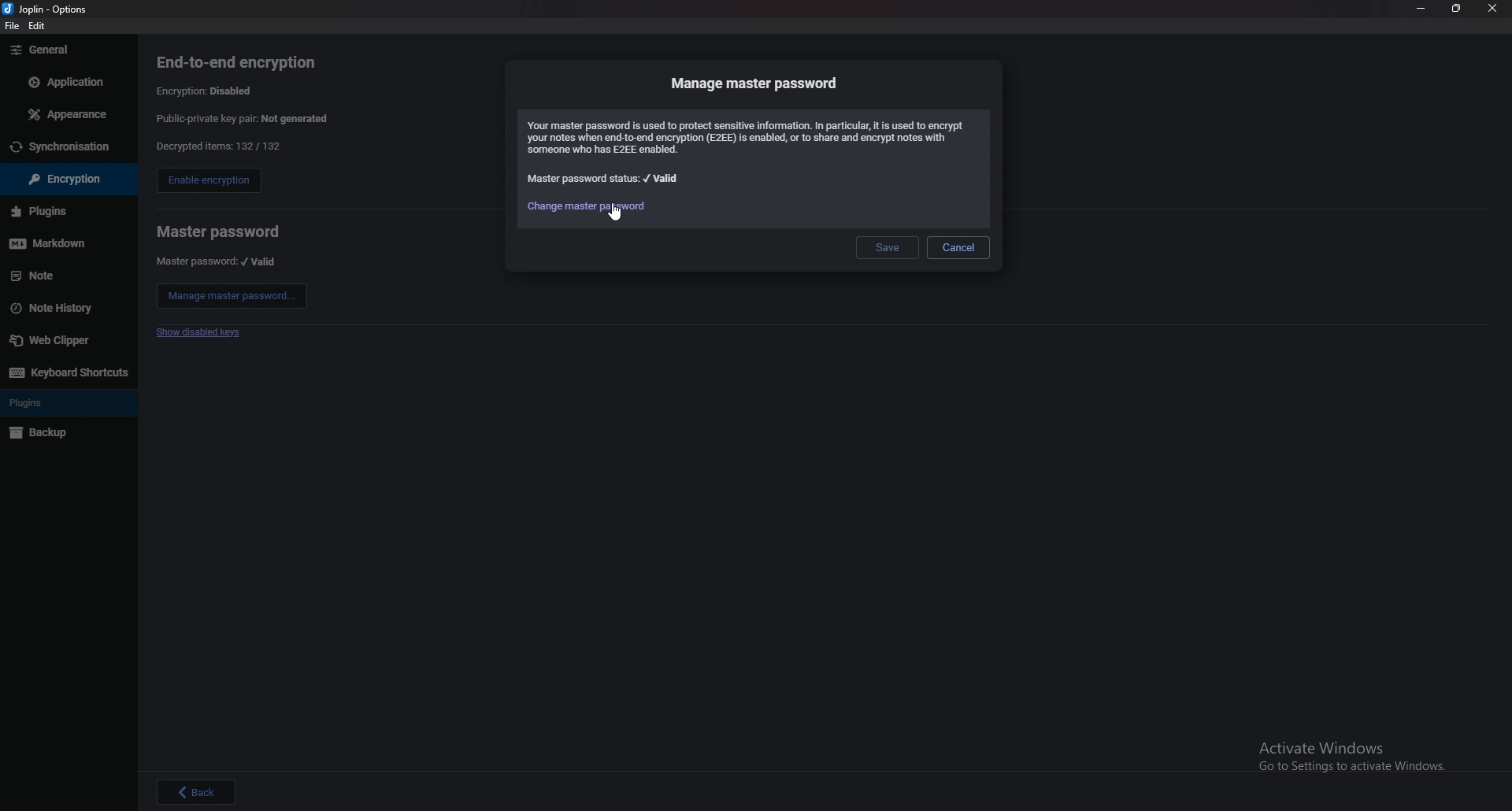  Describe the element at coordinates (67, 372) in the screenshot. I see `keyboard shortcuts` at that location.